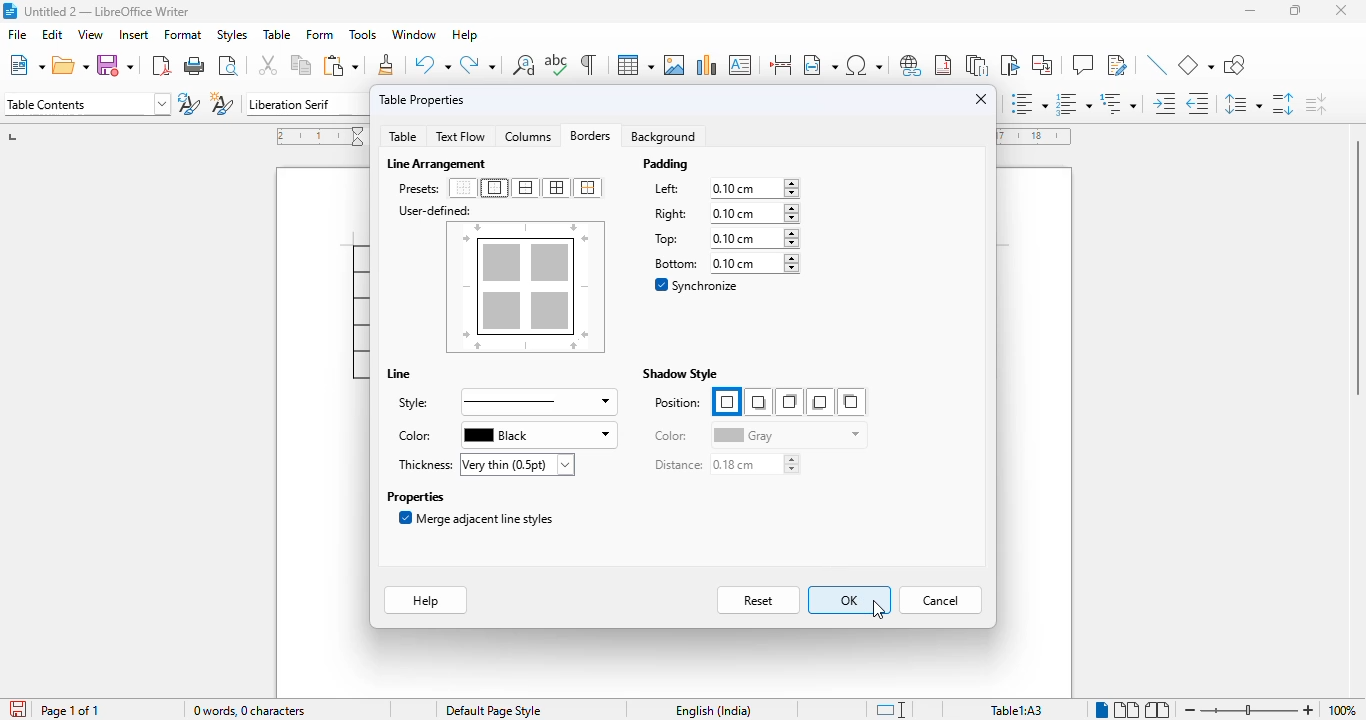  Describe the element at coordinates (135, 35) in the screenshot. I see `insert` at that location.